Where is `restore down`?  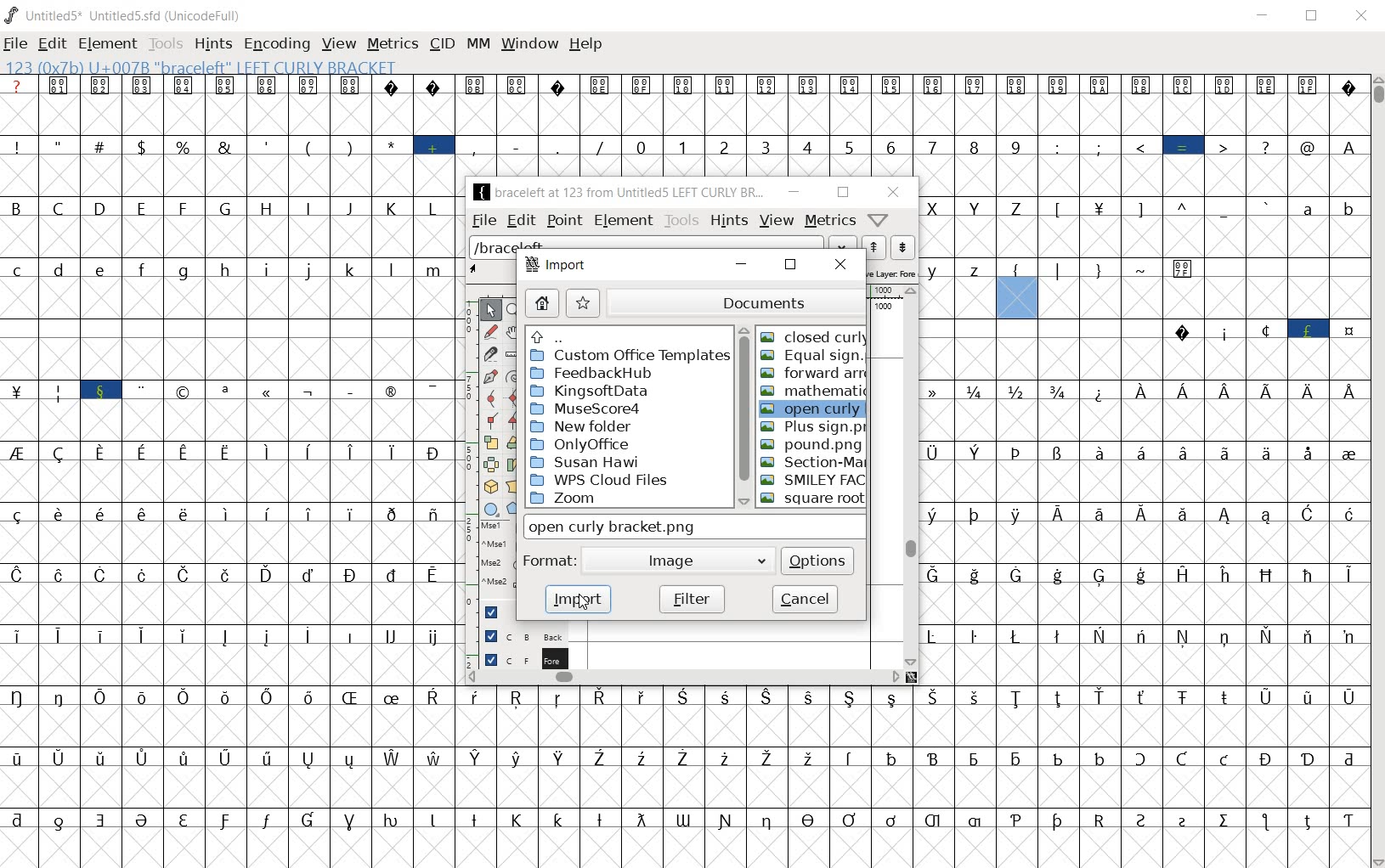
restore down is located at coordinates (789, 268).